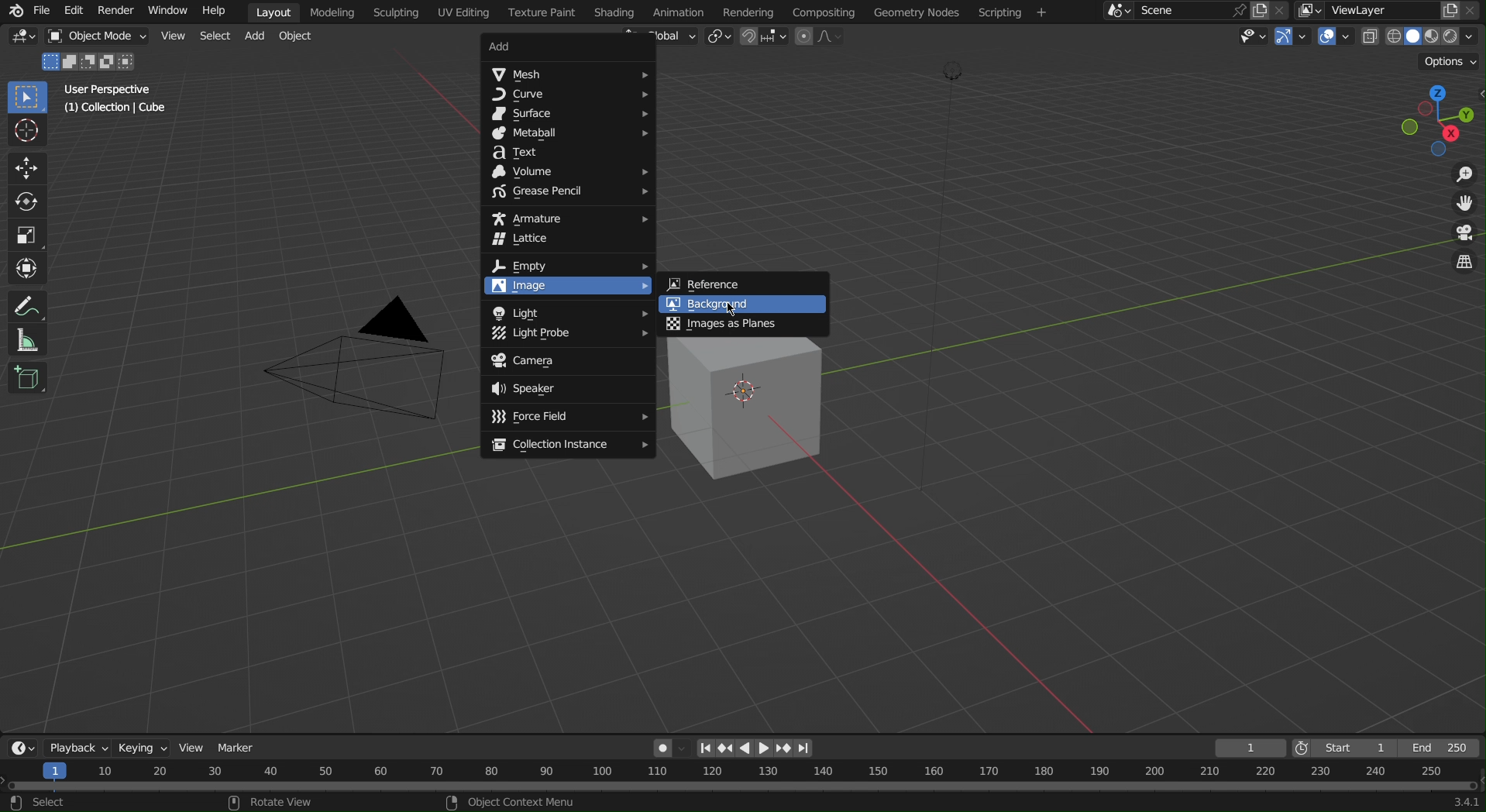  Describe the element at coordinates (748, 10) in the screenshot. I see `Rendering` at that location.